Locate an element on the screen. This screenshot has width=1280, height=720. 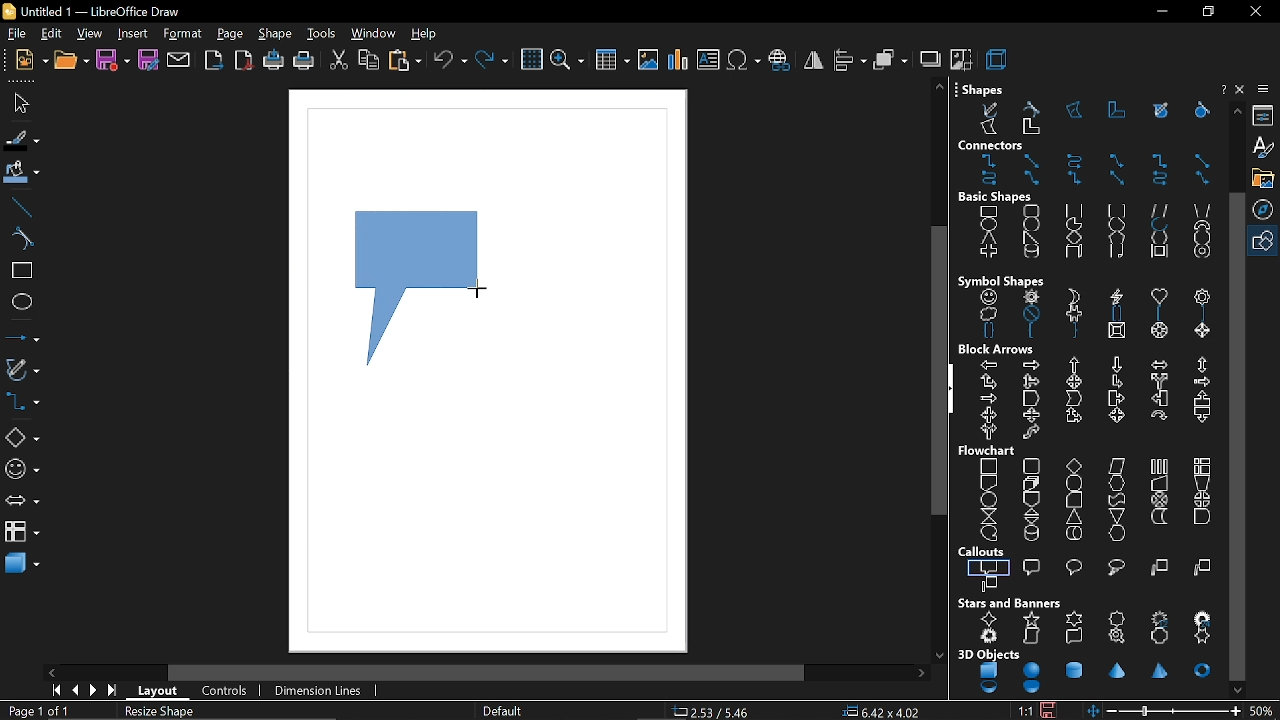
hexagon is located at coordinates (1158, 238).